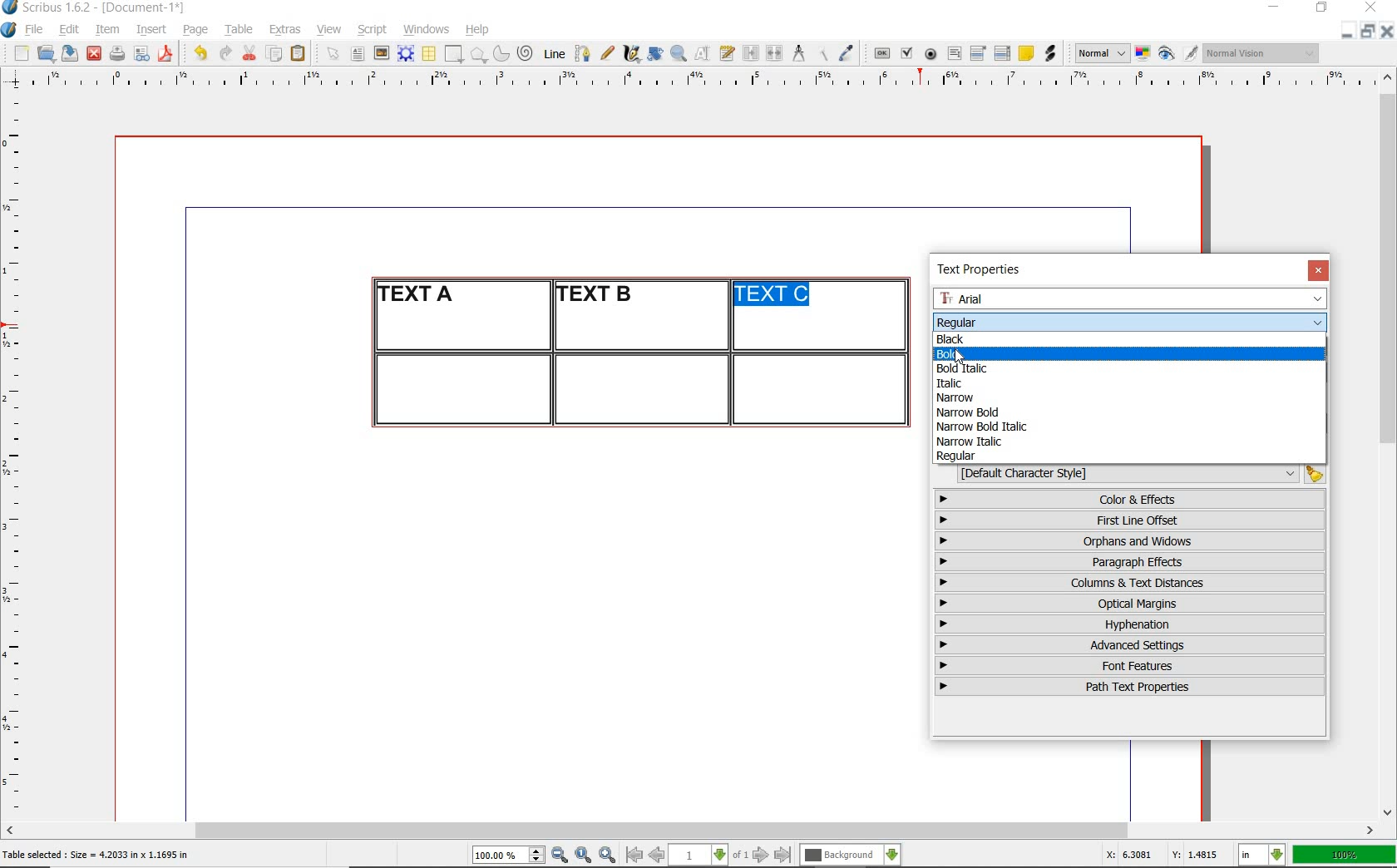  I want to click on preflight verifier, so click(142, 55).